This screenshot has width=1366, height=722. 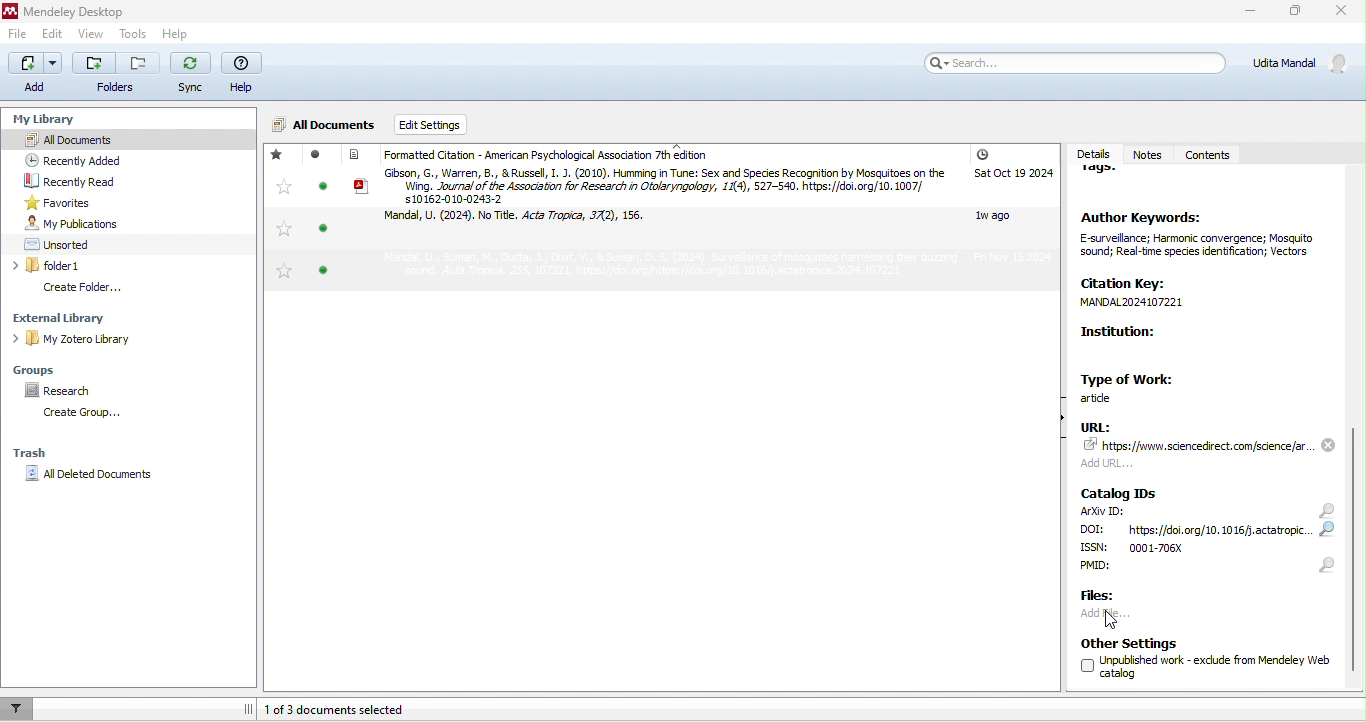 What do you see at coordinates (82, 138) in the screenshot?
I see `all documents` at bounding box center [82, 138].